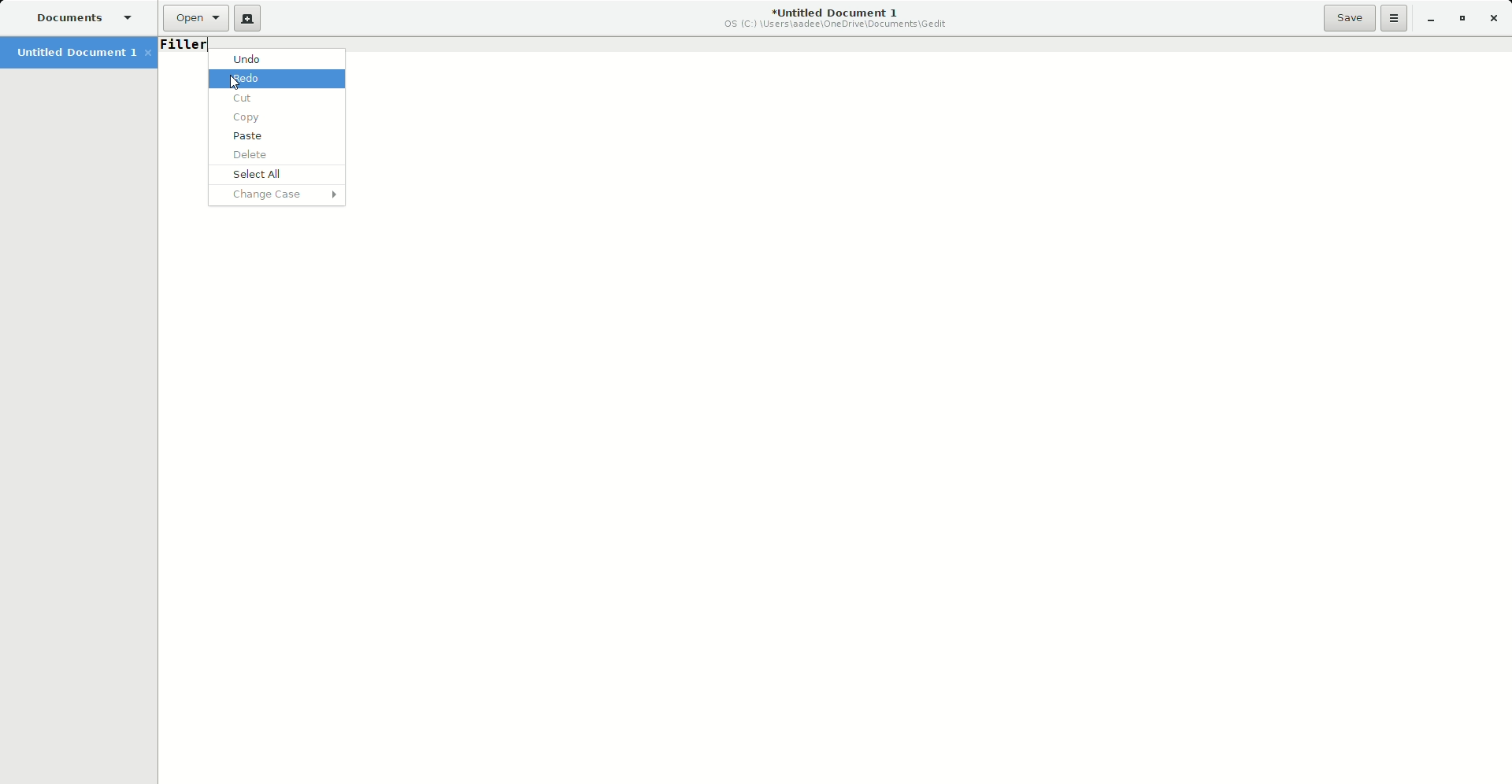  Describe the element at coordinates (186, 44) in the screenshot. I see `Filler` at that location.